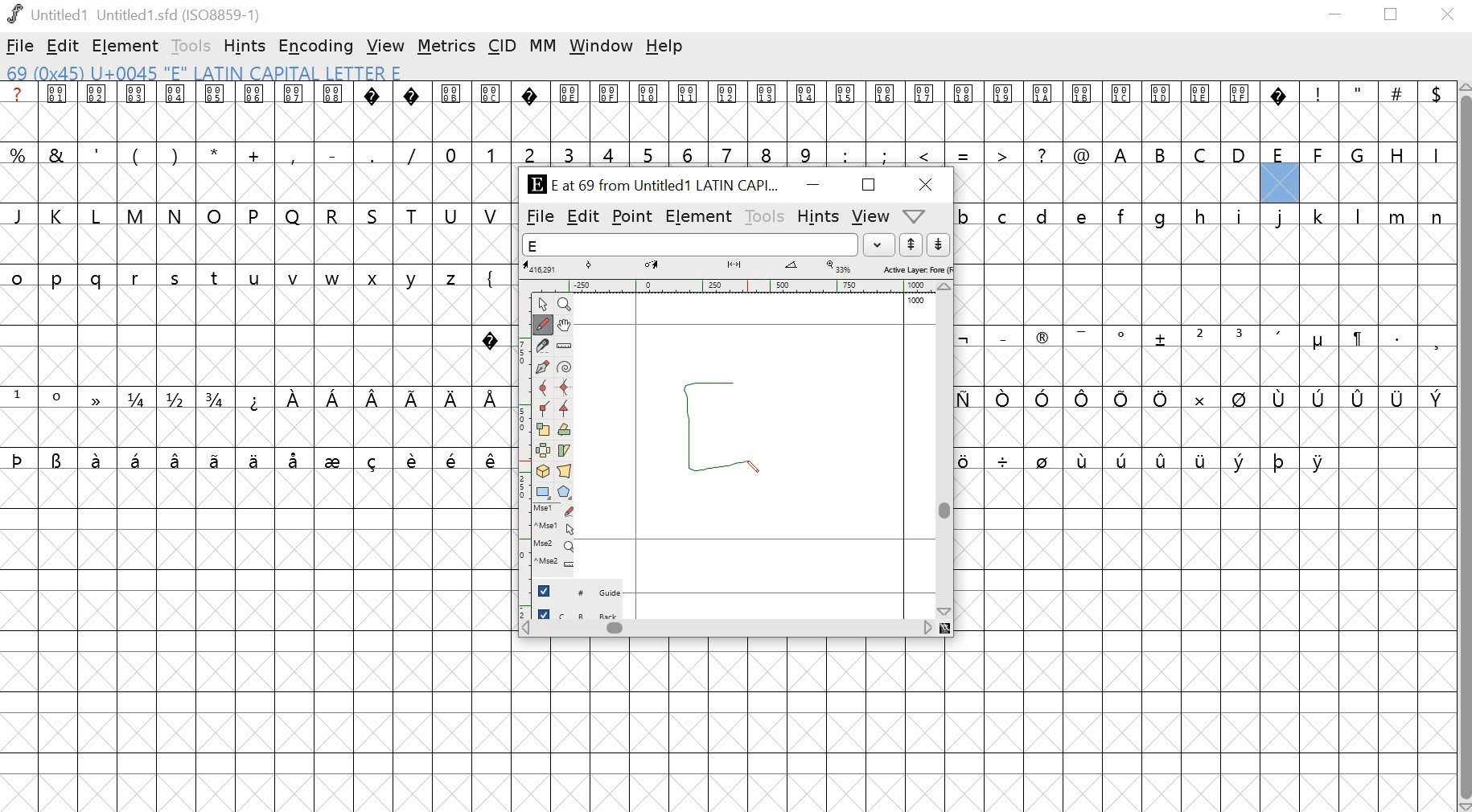  What do you see at coordinates (565, 366) in the screenshot?
I see `Spiro` at bounding box center [565, 366].